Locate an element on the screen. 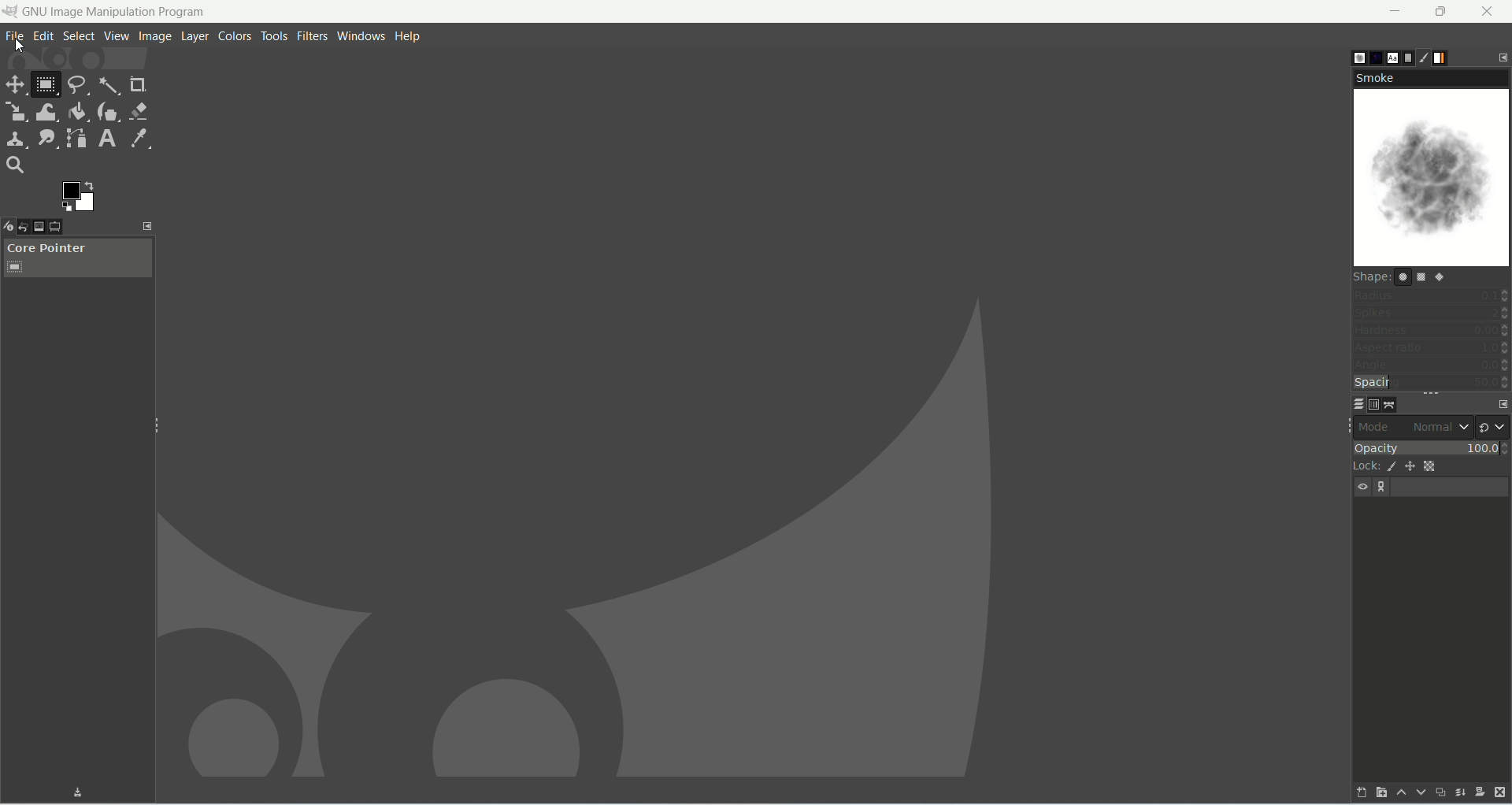  paths is located at coordinates (1393, 405).